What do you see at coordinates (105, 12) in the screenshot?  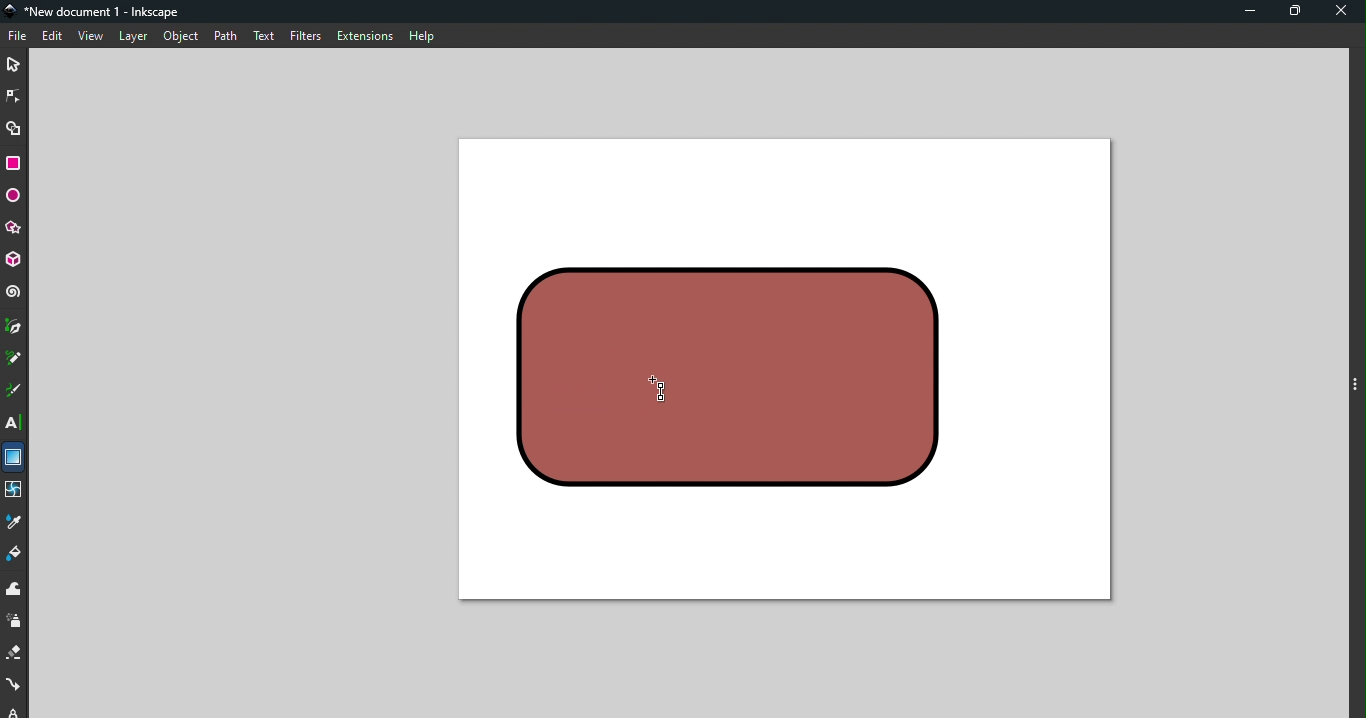 I see `‘New document 1 - Inkscape` at bounding box center [105, 12].